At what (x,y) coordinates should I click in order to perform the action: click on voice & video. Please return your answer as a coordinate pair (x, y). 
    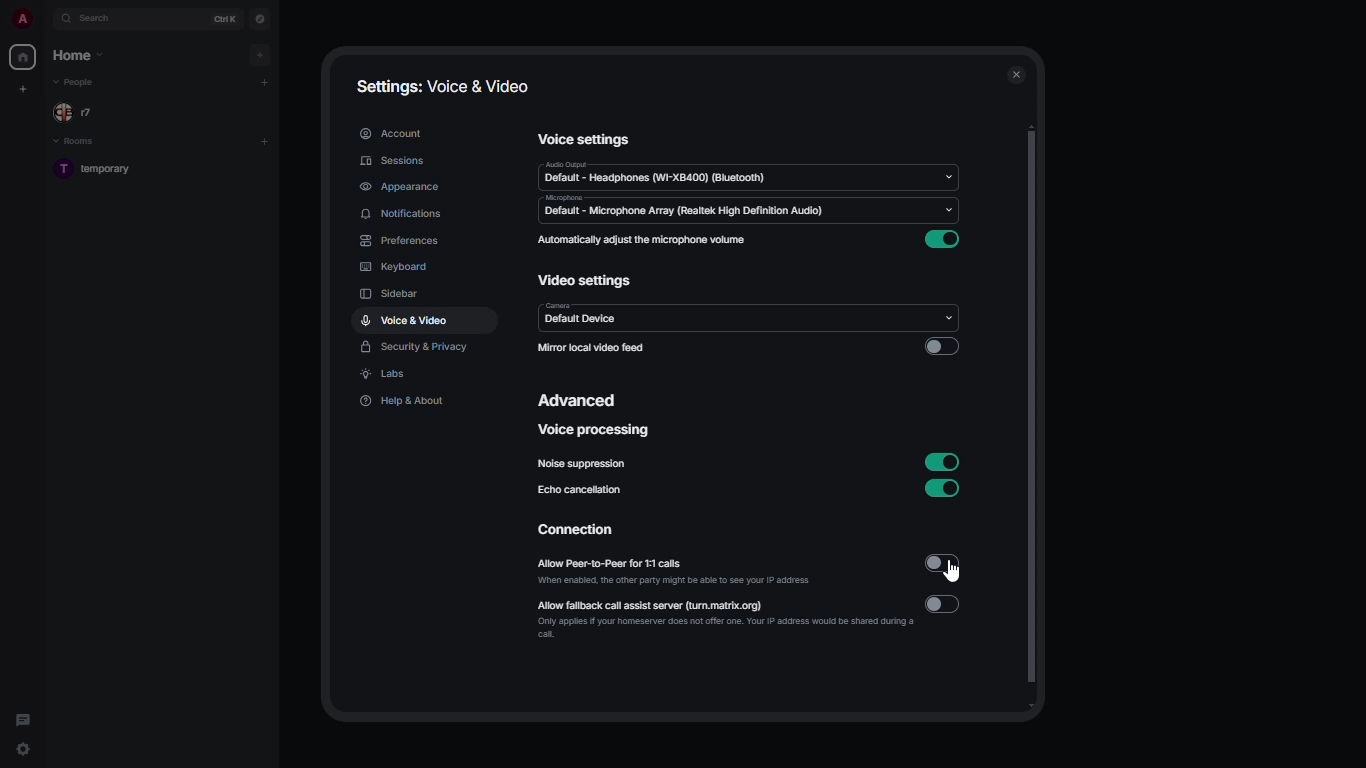
    Looking at the image, I should click on (404, 322).